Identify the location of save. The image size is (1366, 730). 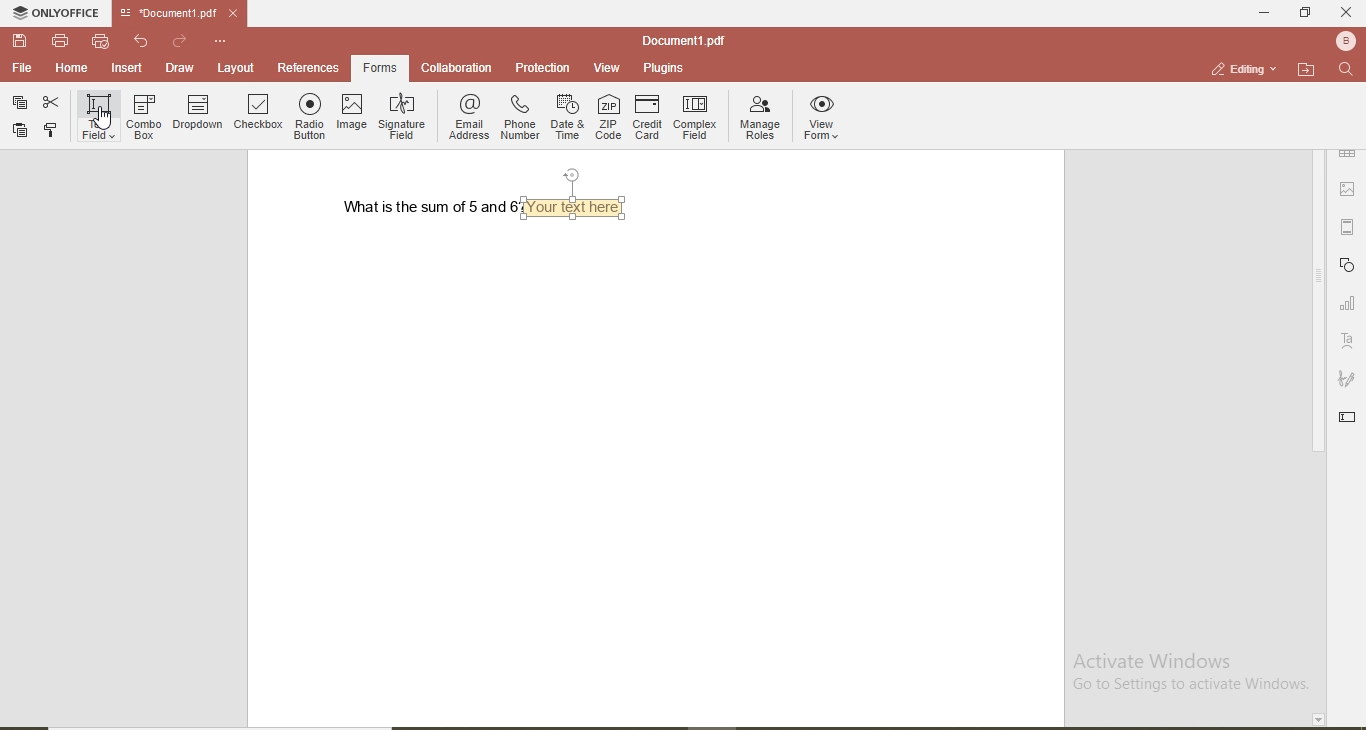
(17, 39).